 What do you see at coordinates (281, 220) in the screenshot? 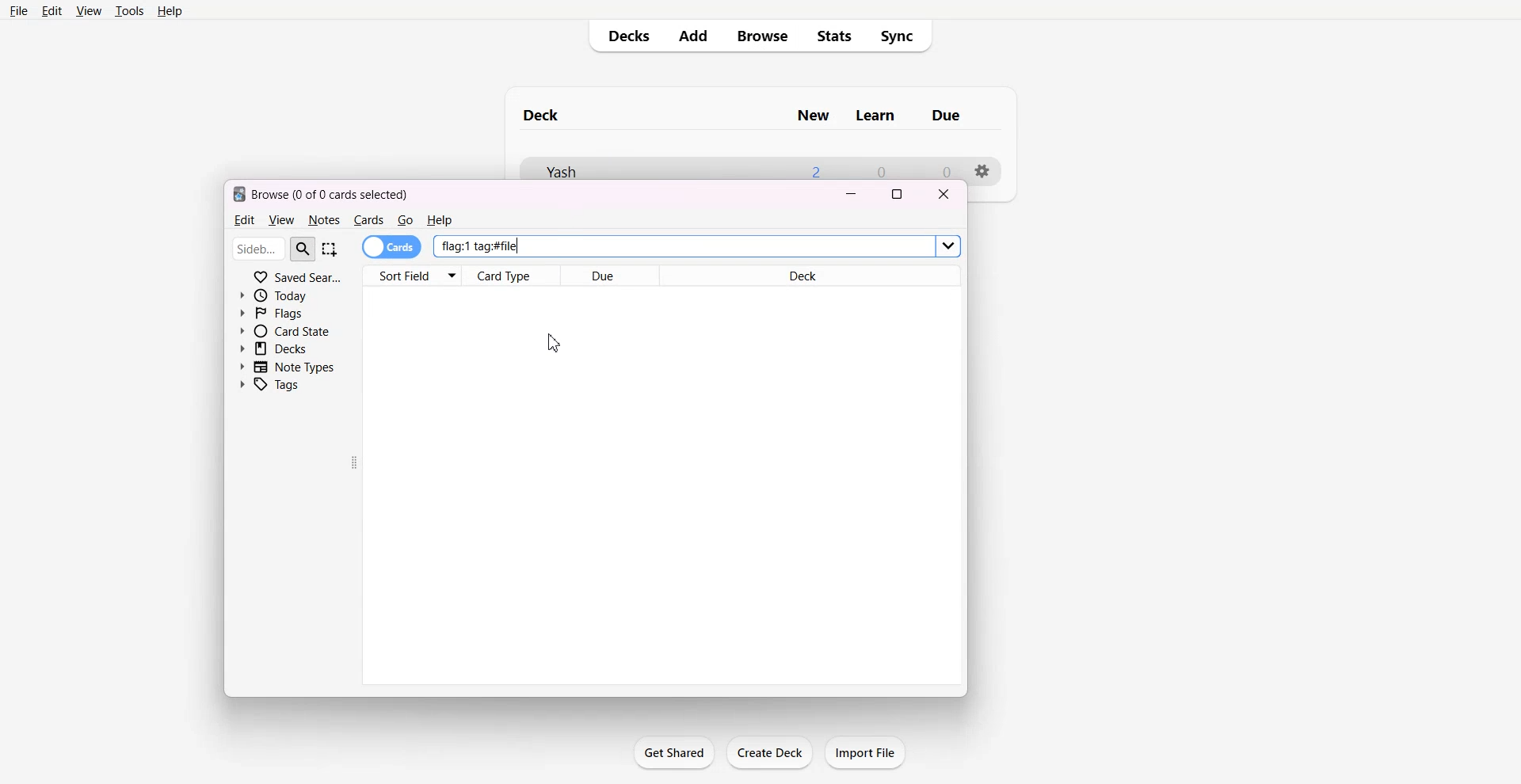
I see `View` at bounding box center [281, 220].